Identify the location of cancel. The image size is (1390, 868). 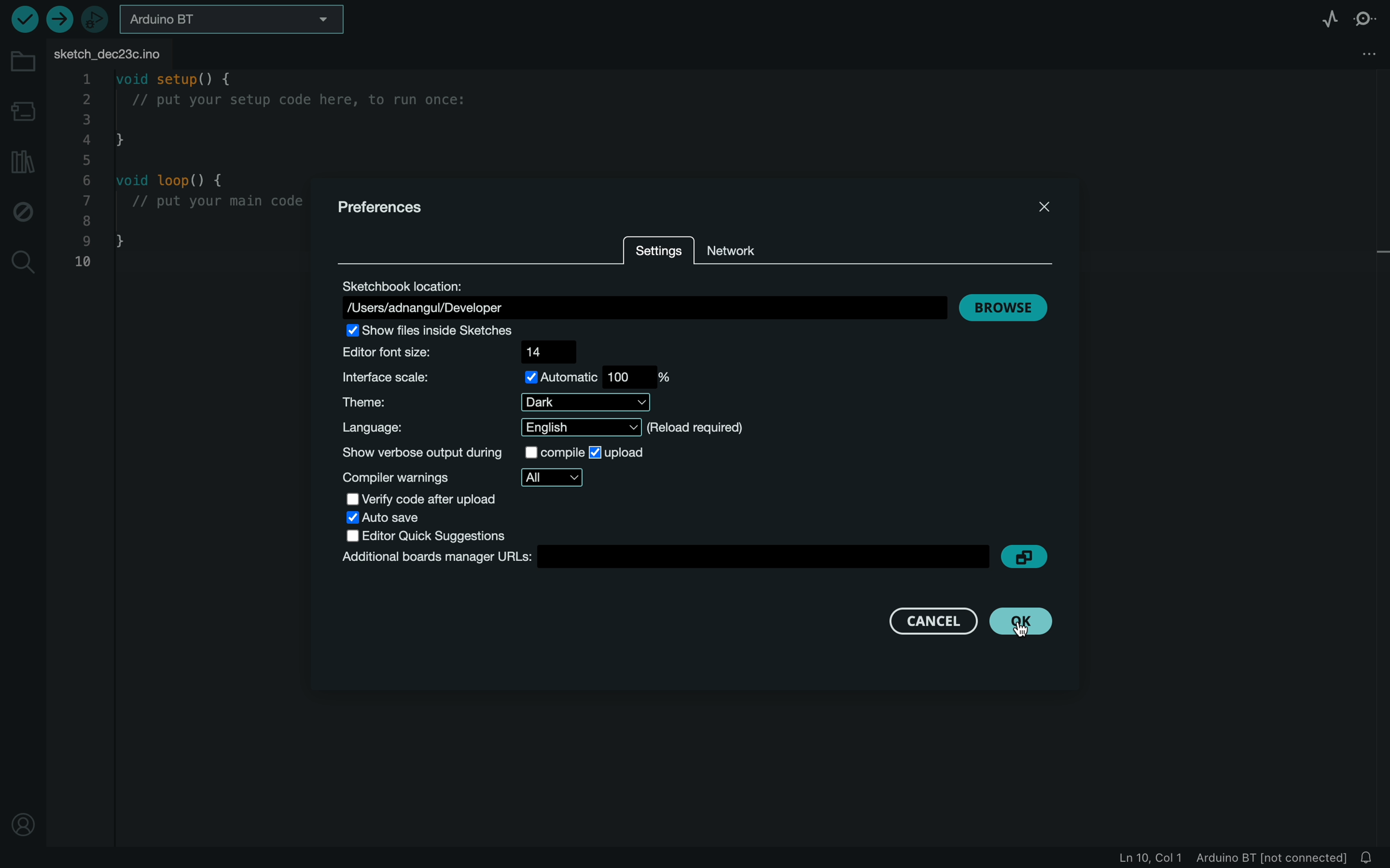
(936, 621).